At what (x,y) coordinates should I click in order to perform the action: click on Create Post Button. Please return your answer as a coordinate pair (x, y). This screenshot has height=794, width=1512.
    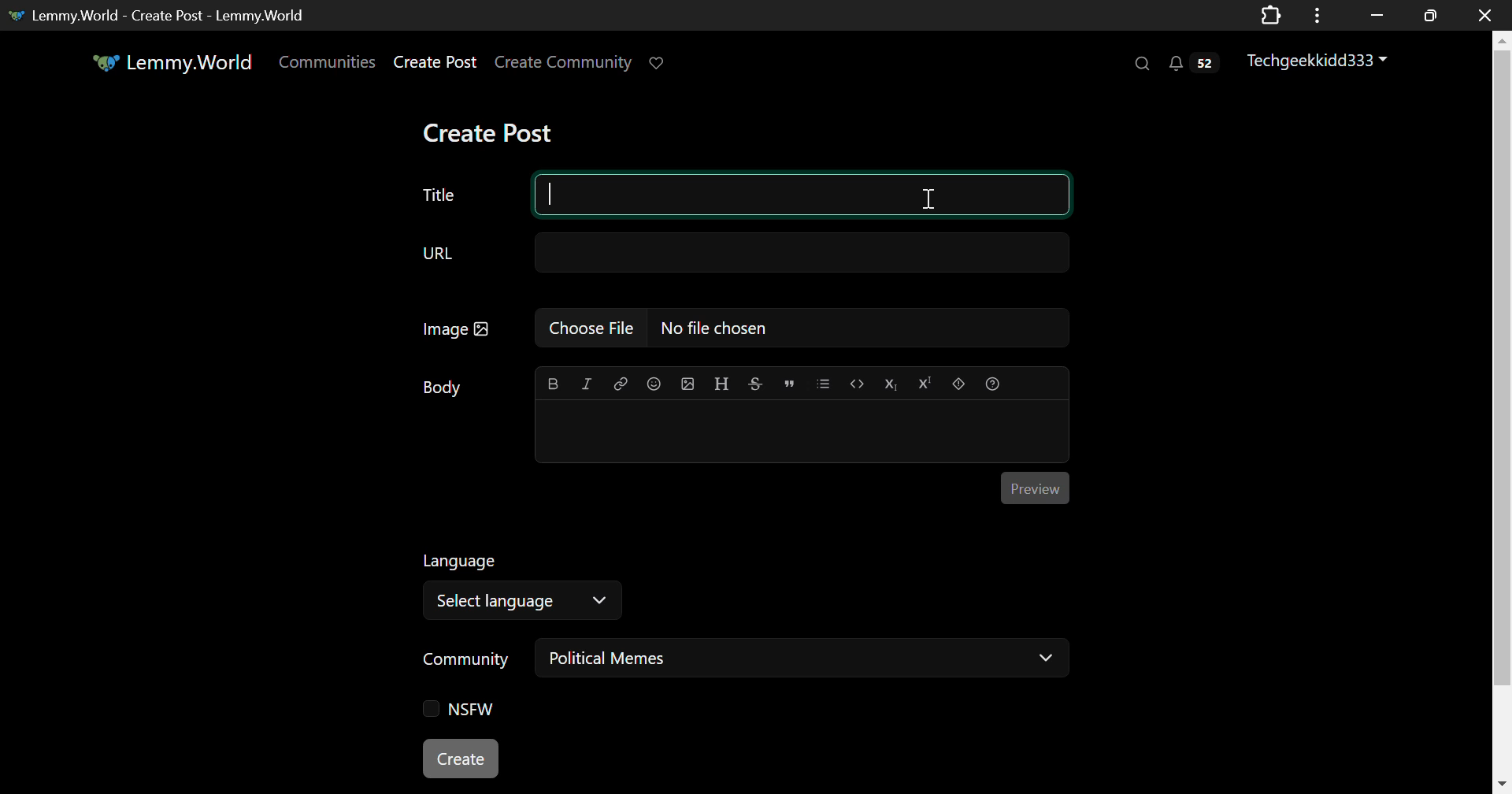
    Looking at the image, I should click on (462, 759).